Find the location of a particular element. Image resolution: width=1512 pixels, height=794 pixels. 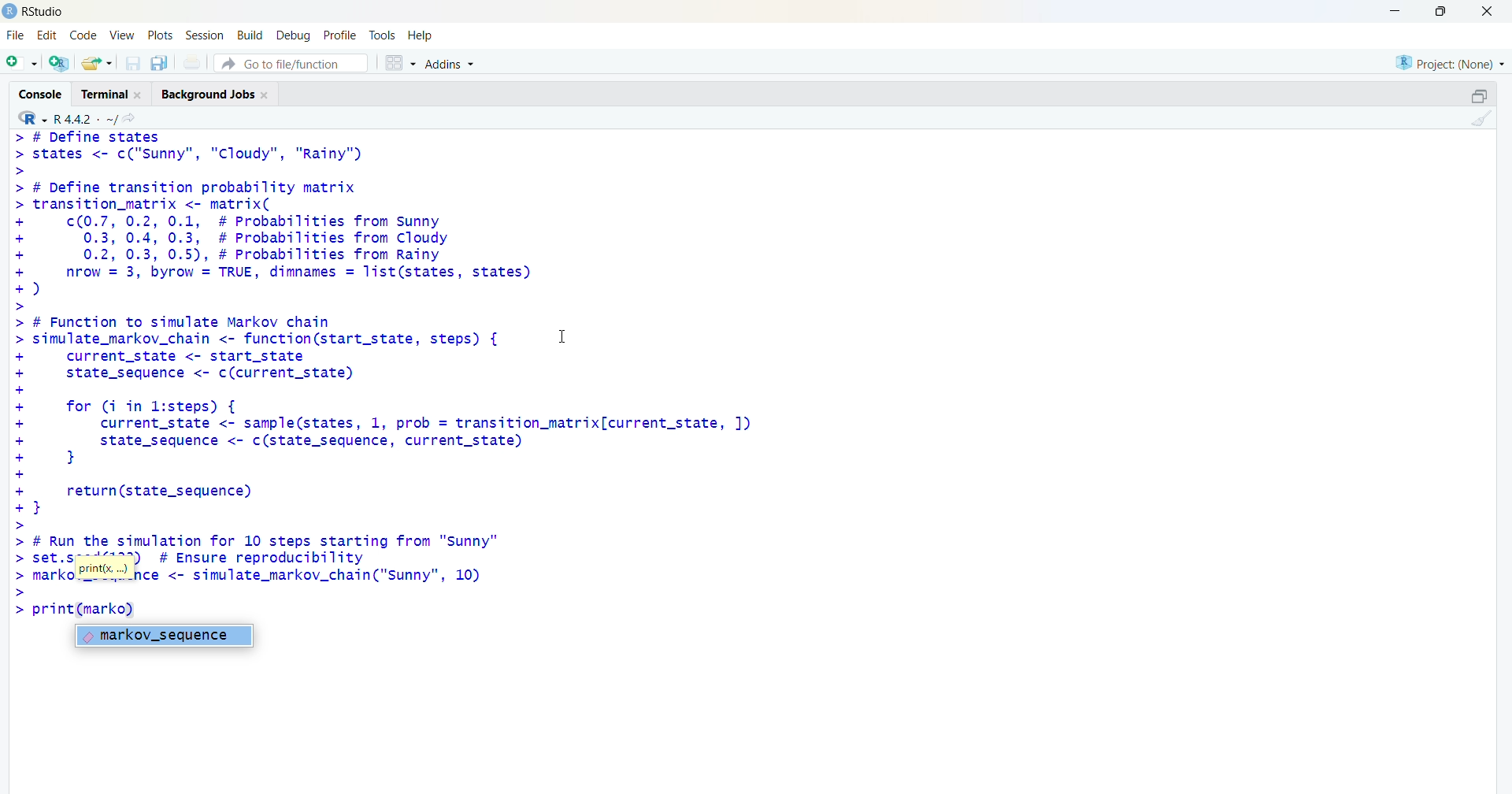

plots is located at coordinates (162, 34).